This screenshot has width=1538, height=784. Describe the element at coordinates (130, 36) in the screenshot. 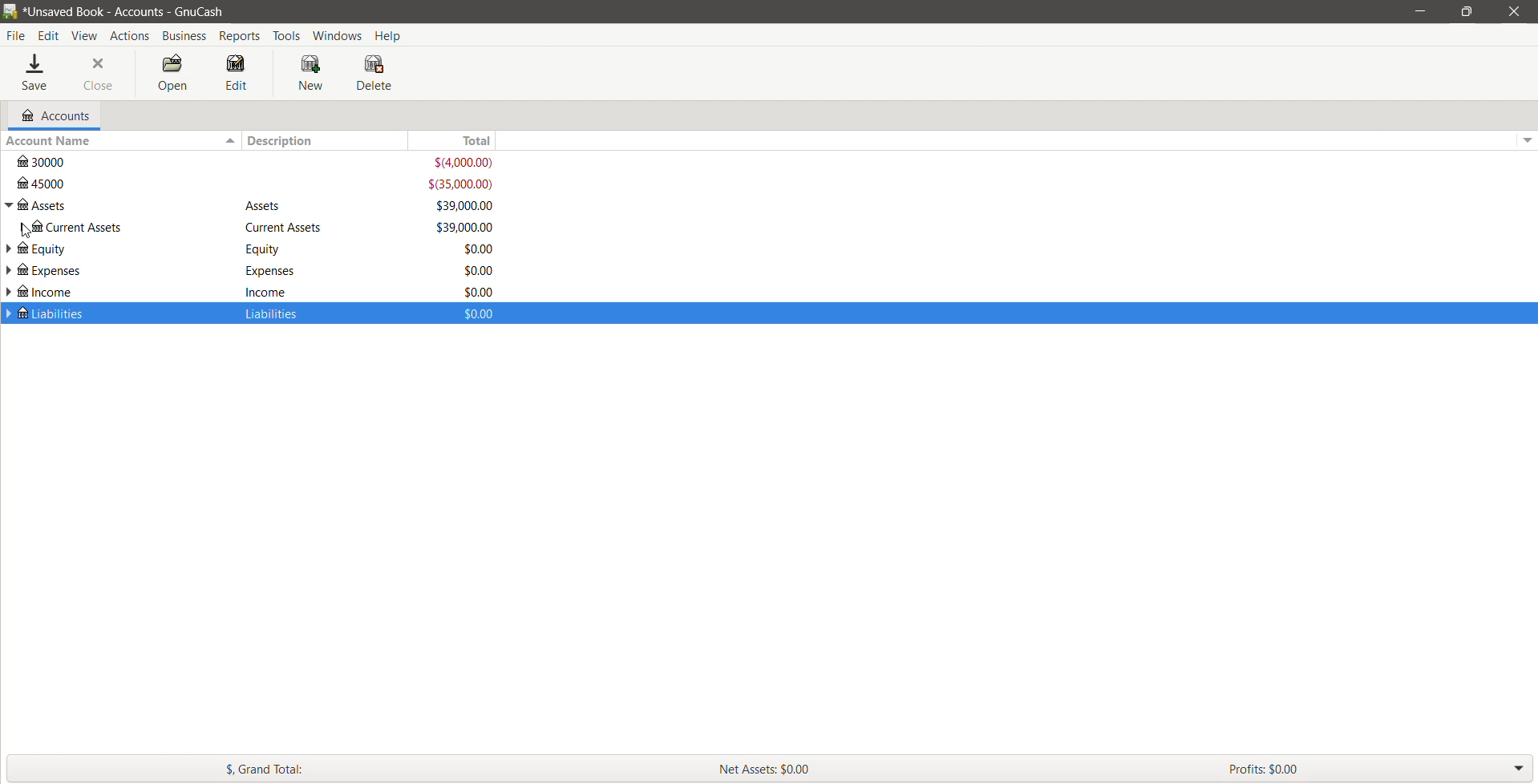

I see `Actions` at that location.